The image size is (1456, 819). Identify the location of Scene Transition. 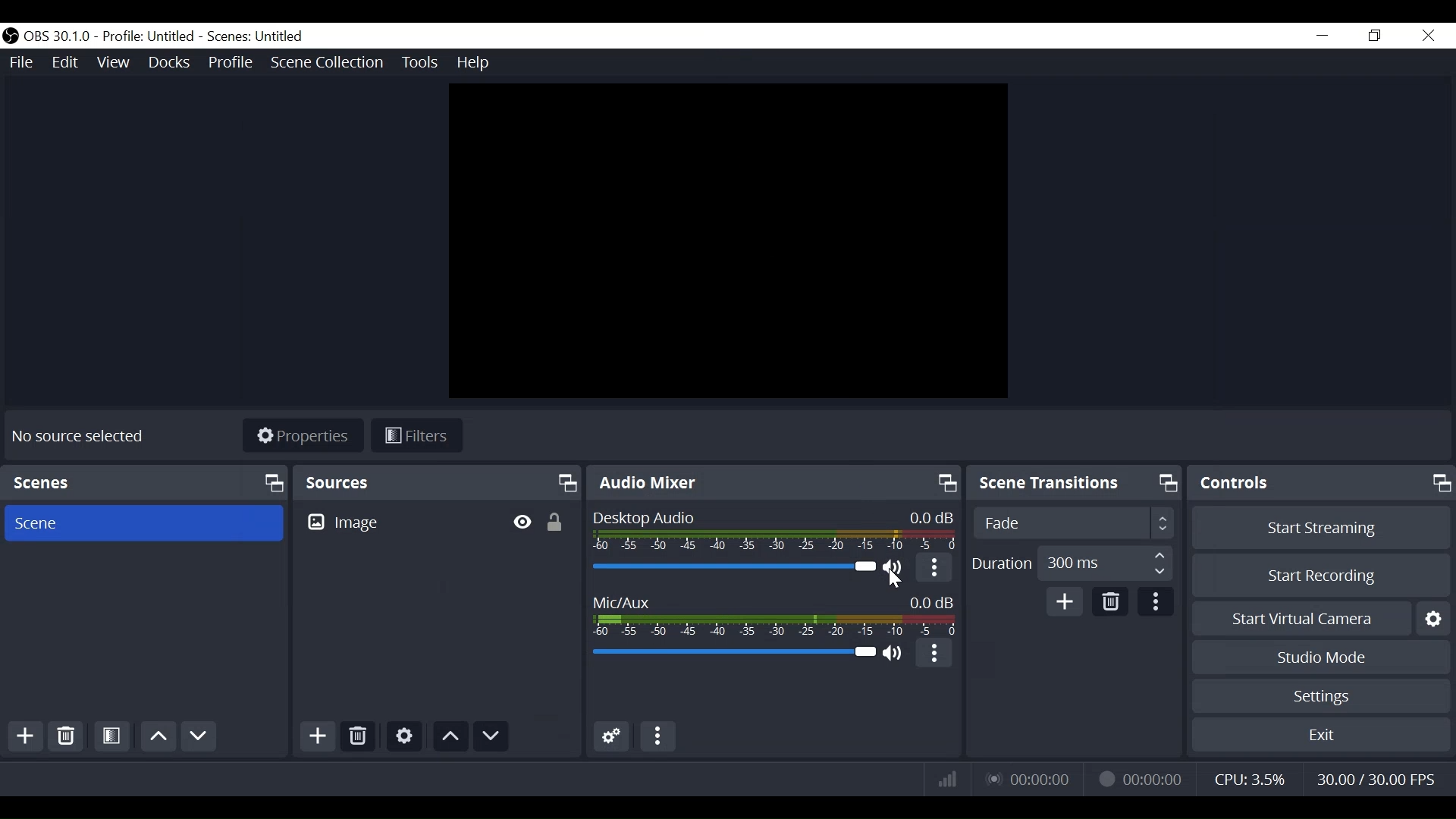
(1075, 483).